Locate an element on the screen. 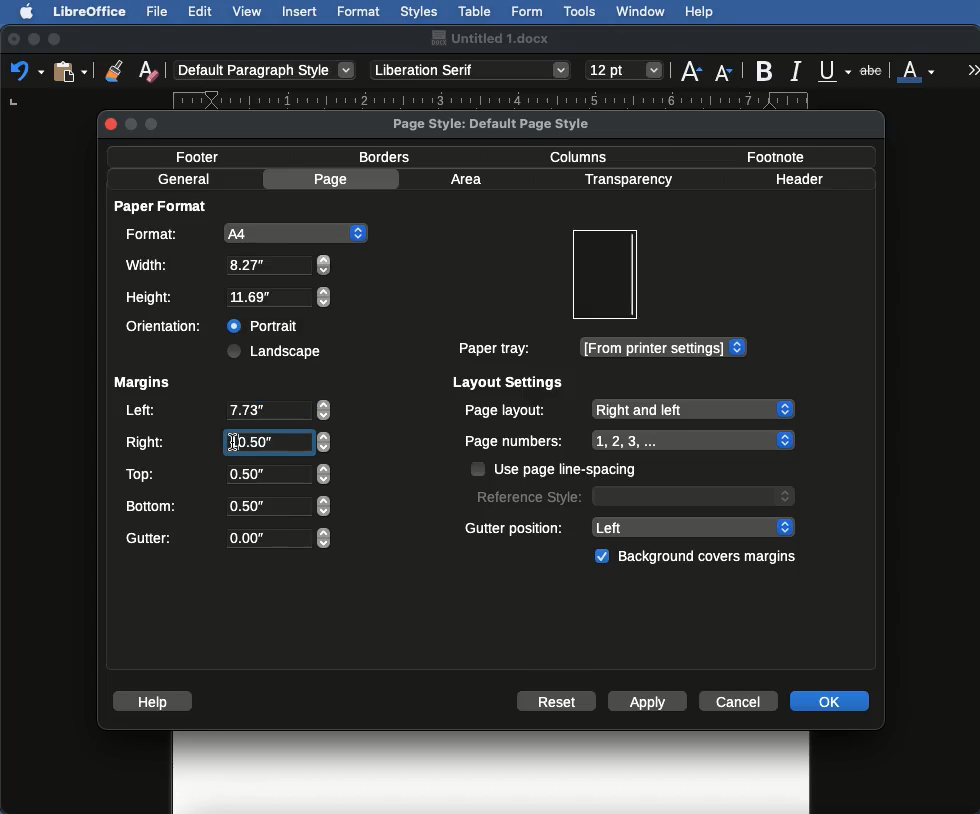  Reference style is located at coordinates (633, 495).